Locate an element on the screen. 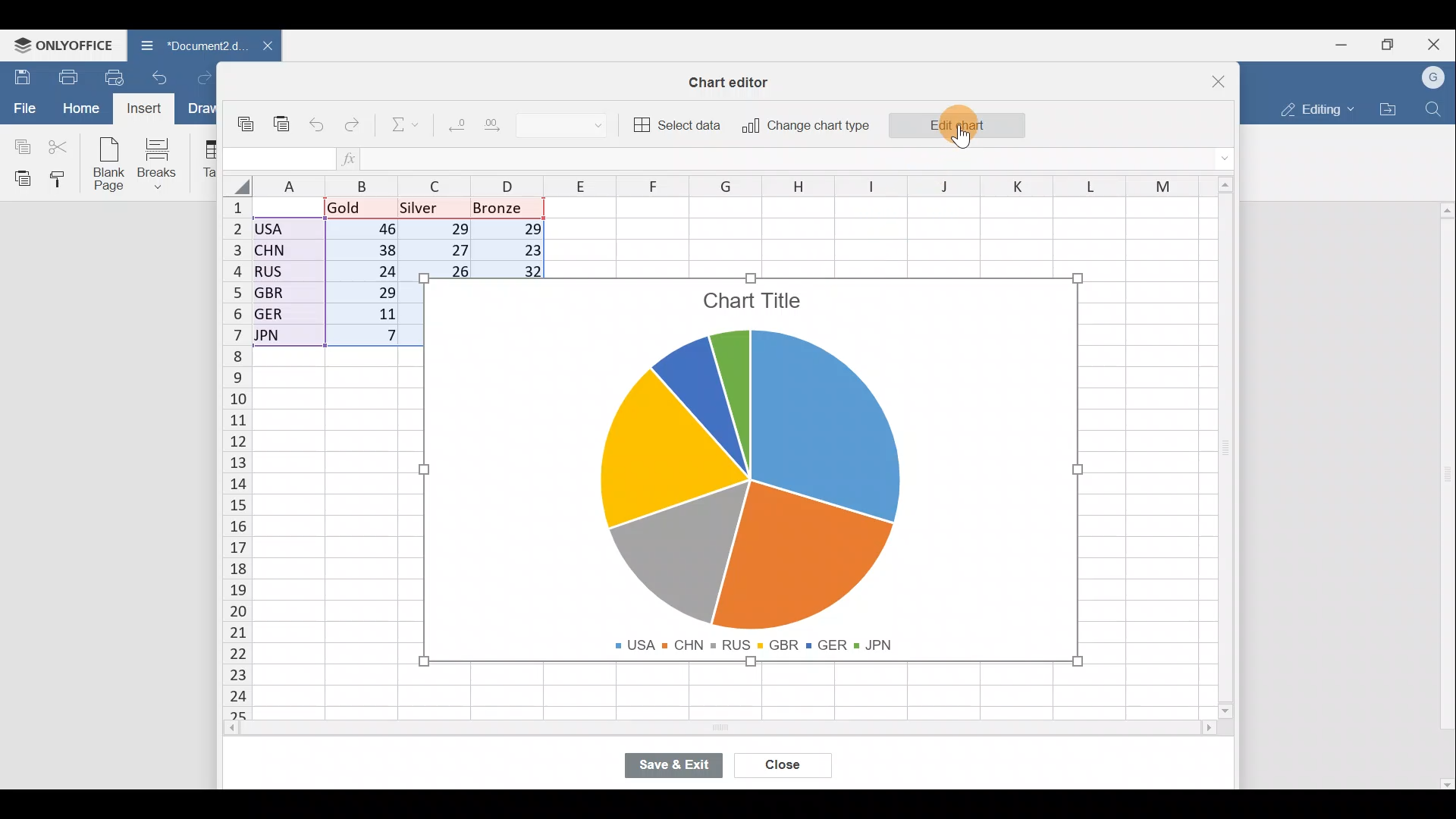  Account name is located at coordinates (1434, 78).